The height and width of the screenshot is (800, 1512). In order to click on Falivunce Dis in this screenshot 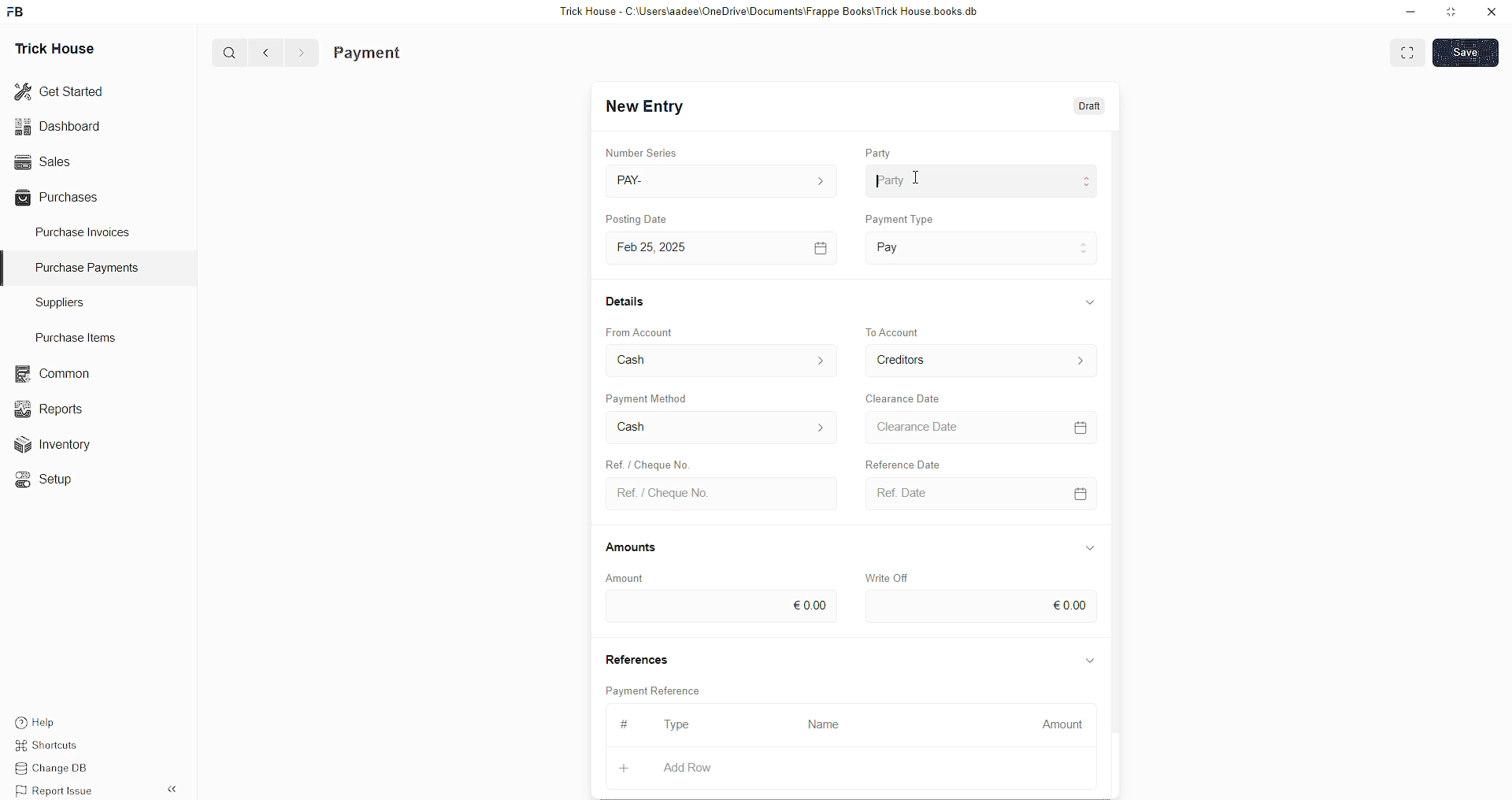, I will do `click(914, 461)`.